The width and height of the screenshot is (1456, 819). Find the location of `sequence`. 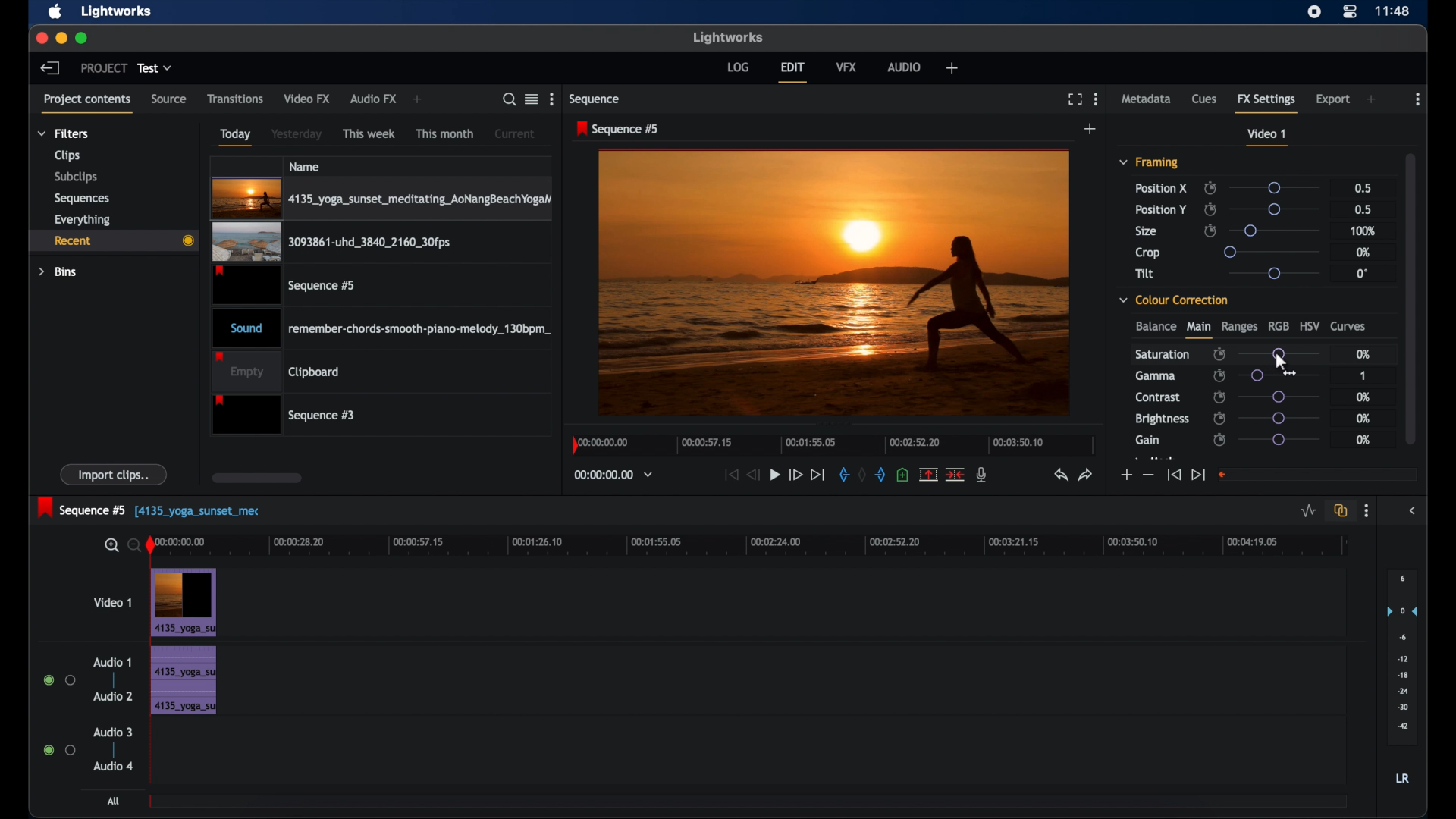

sequence is located at coordinates (596, 99).